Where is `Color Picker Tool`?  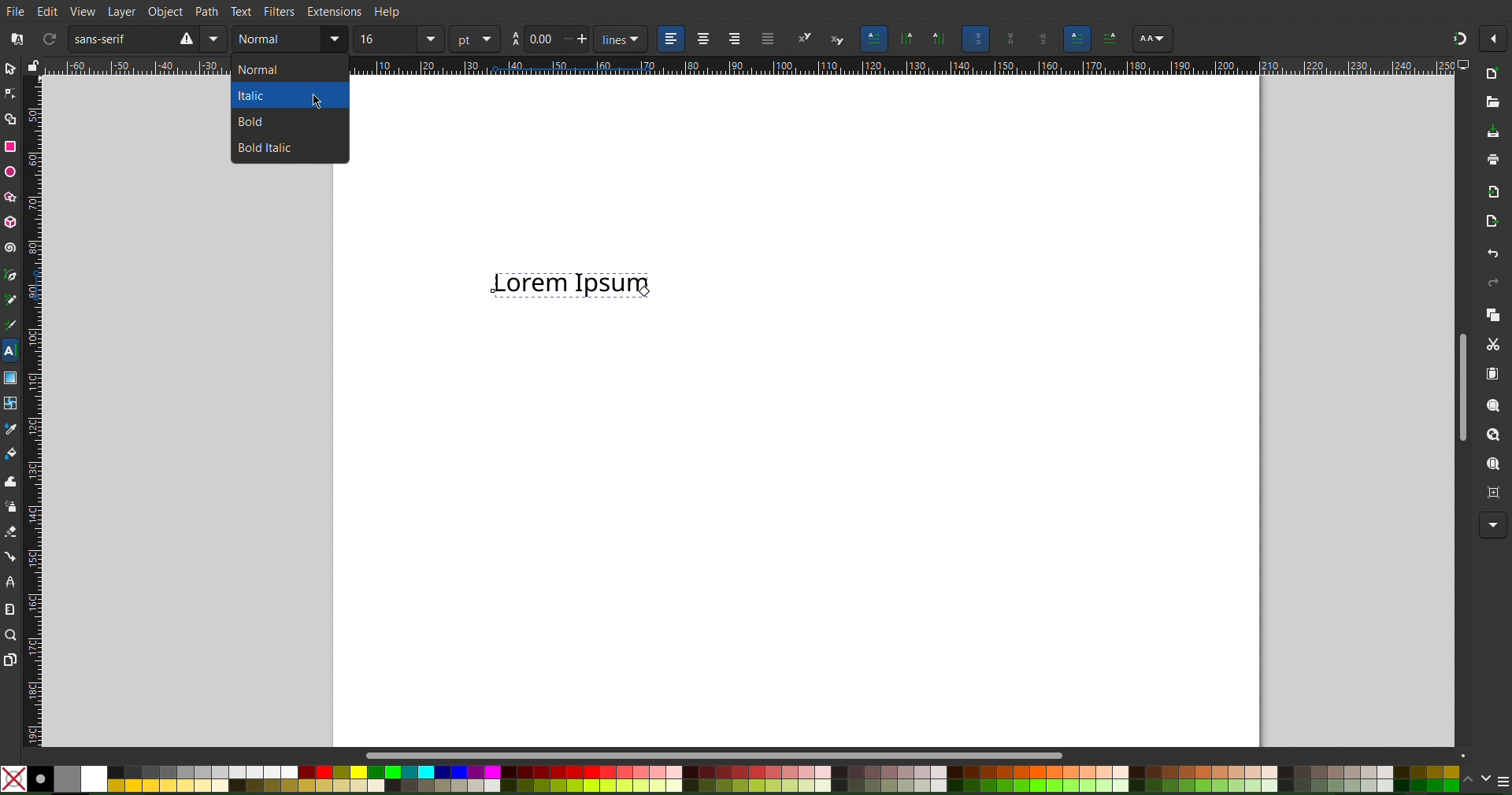
Color Picker Tool is located at coordinates (9, 429).